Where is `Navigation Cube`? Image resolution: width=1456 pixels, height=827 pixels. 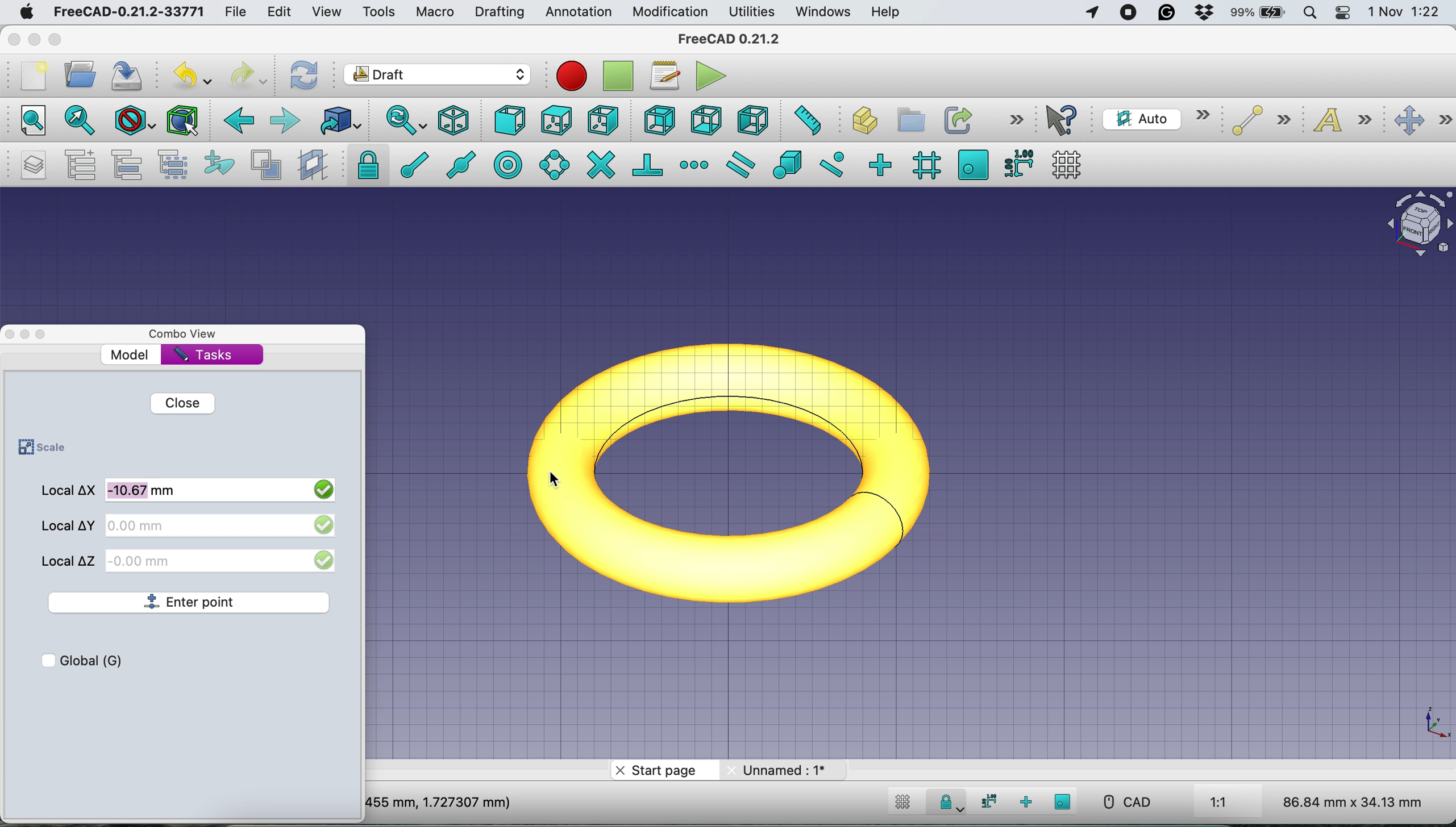
Navigation Cube is located at coordinates (1414, 227).